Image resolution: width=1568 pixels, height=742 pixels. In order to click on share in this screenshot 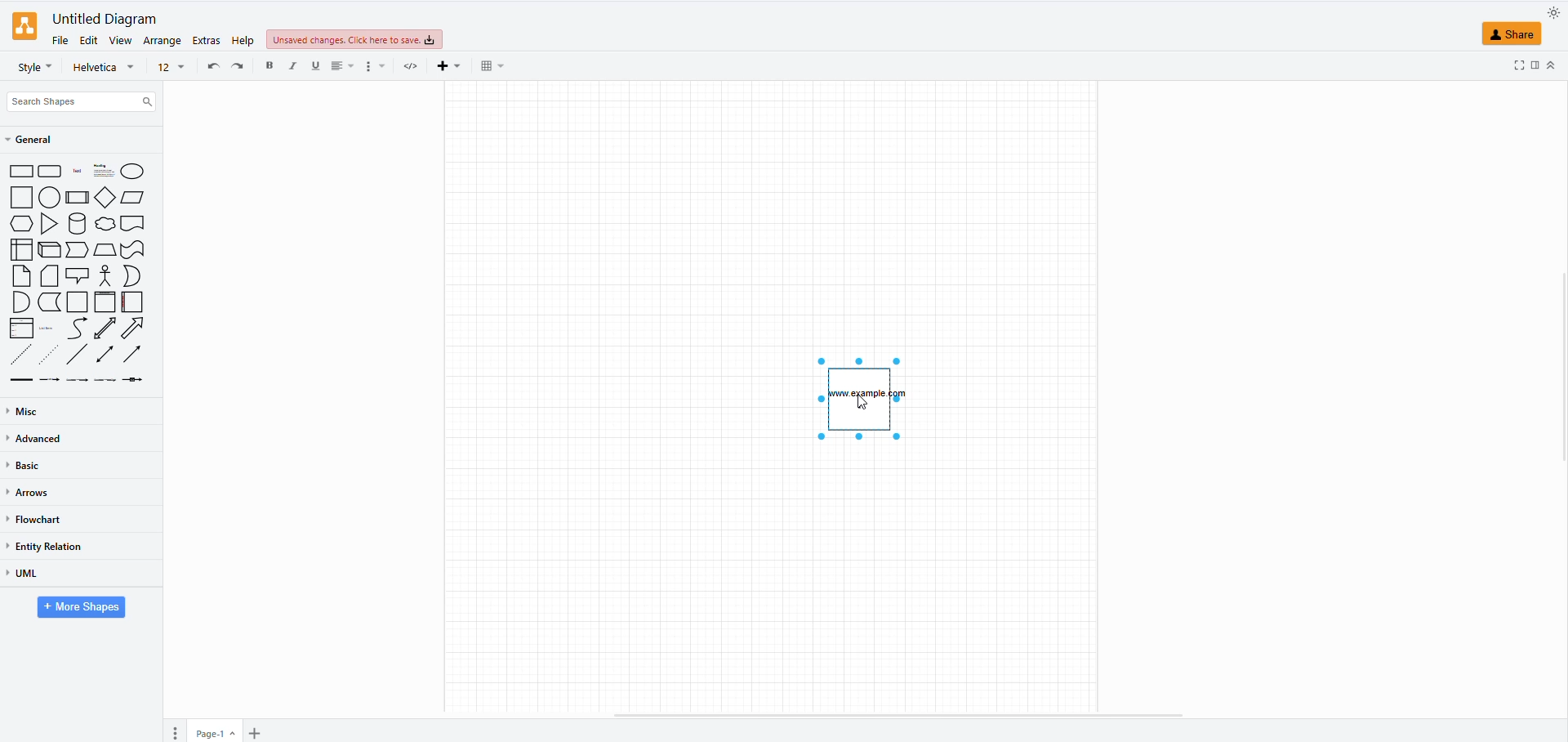, I will do `click(1512, 34)`.